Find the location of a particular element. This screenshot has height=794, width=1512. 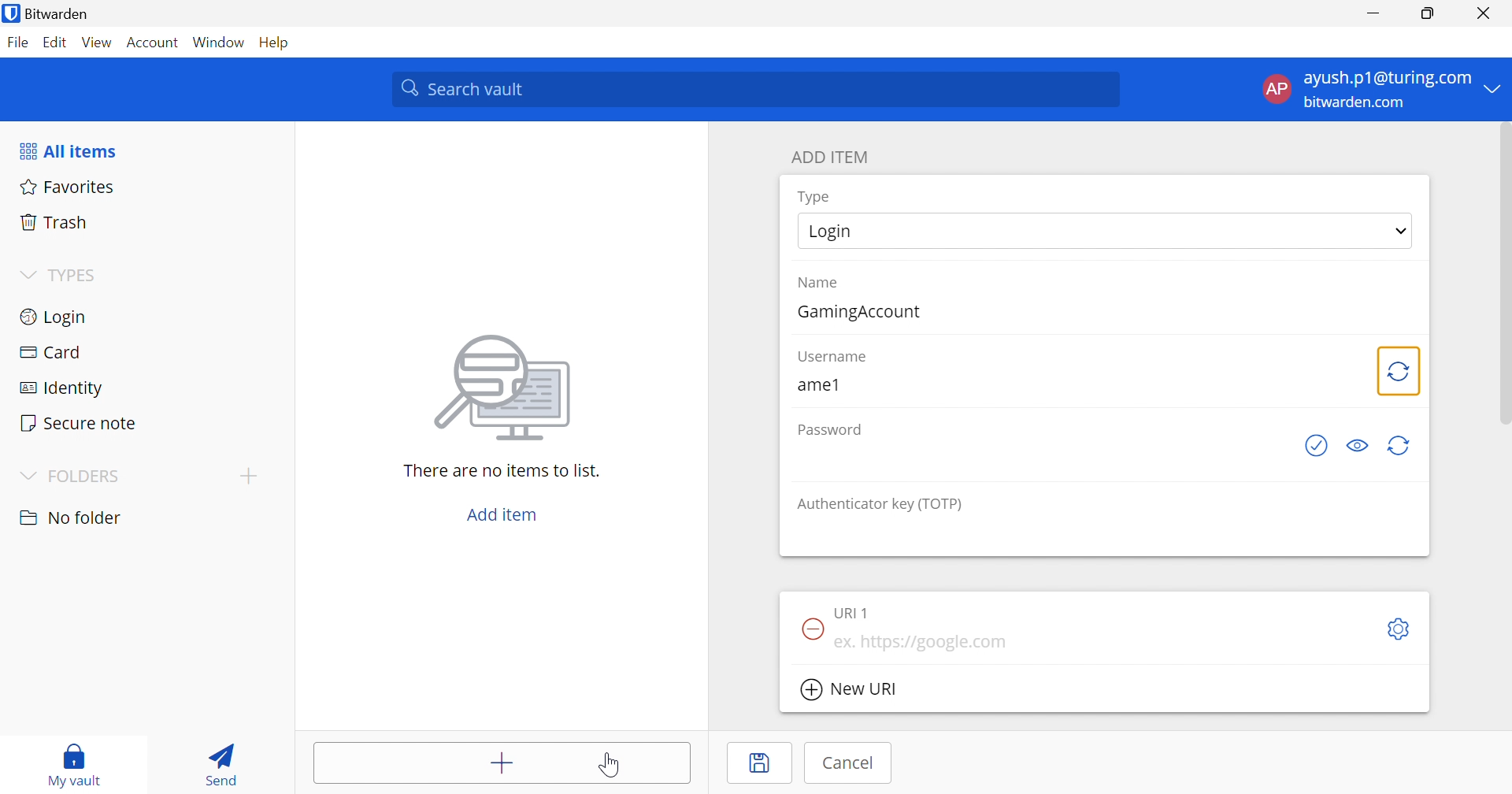

Identity is located at coordinates (63, 390).